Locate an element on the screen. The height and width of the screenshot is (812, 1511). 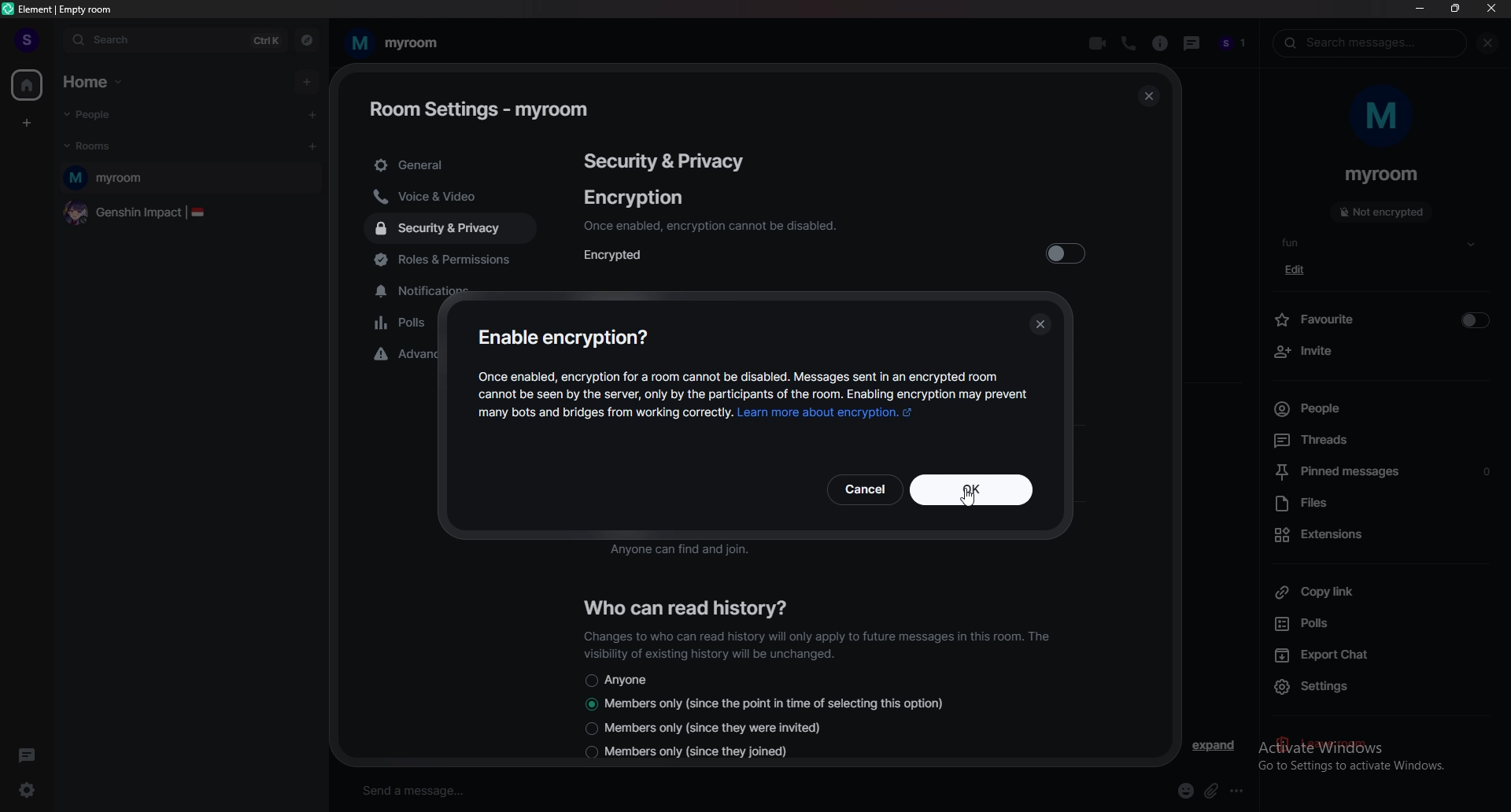
people is located at coordinates (106, 113).